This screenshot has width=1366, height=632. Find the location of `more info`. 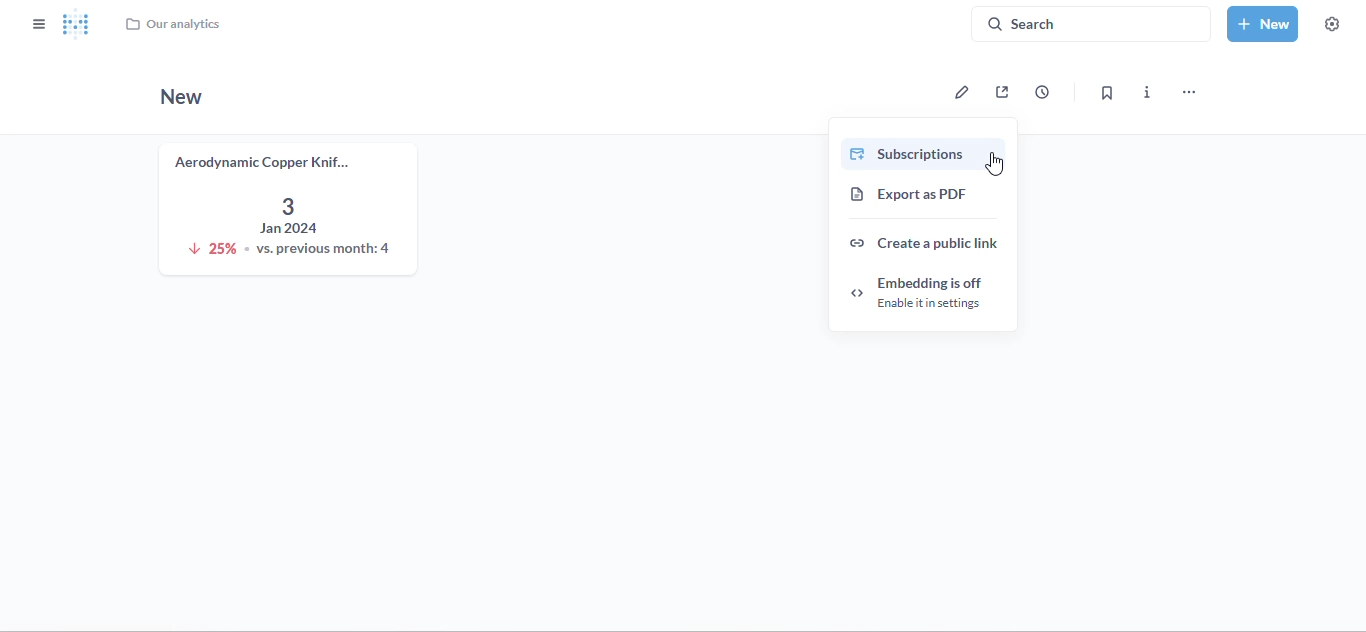

more info is located at coordinates (1147, 92).